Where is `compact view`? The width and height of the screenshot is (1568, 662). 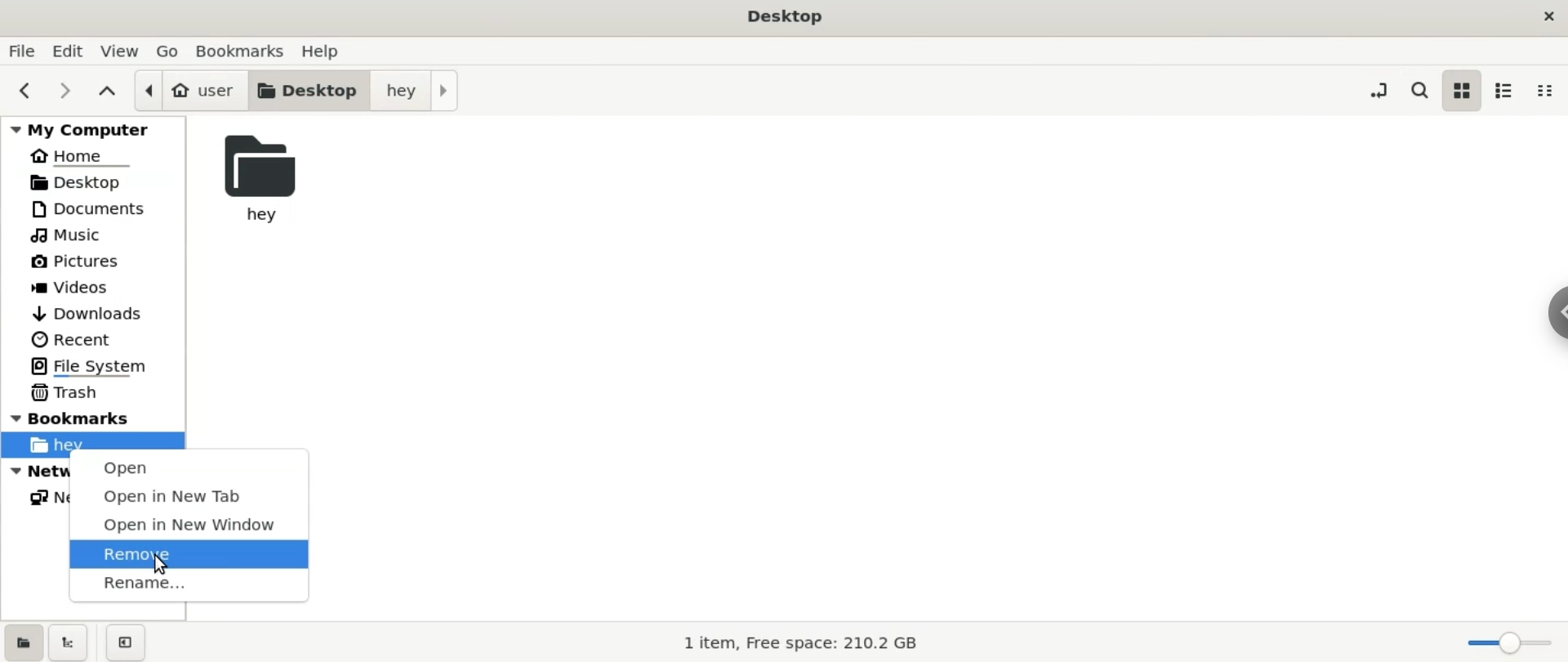
compact view is located at coordinates (1549, 94).